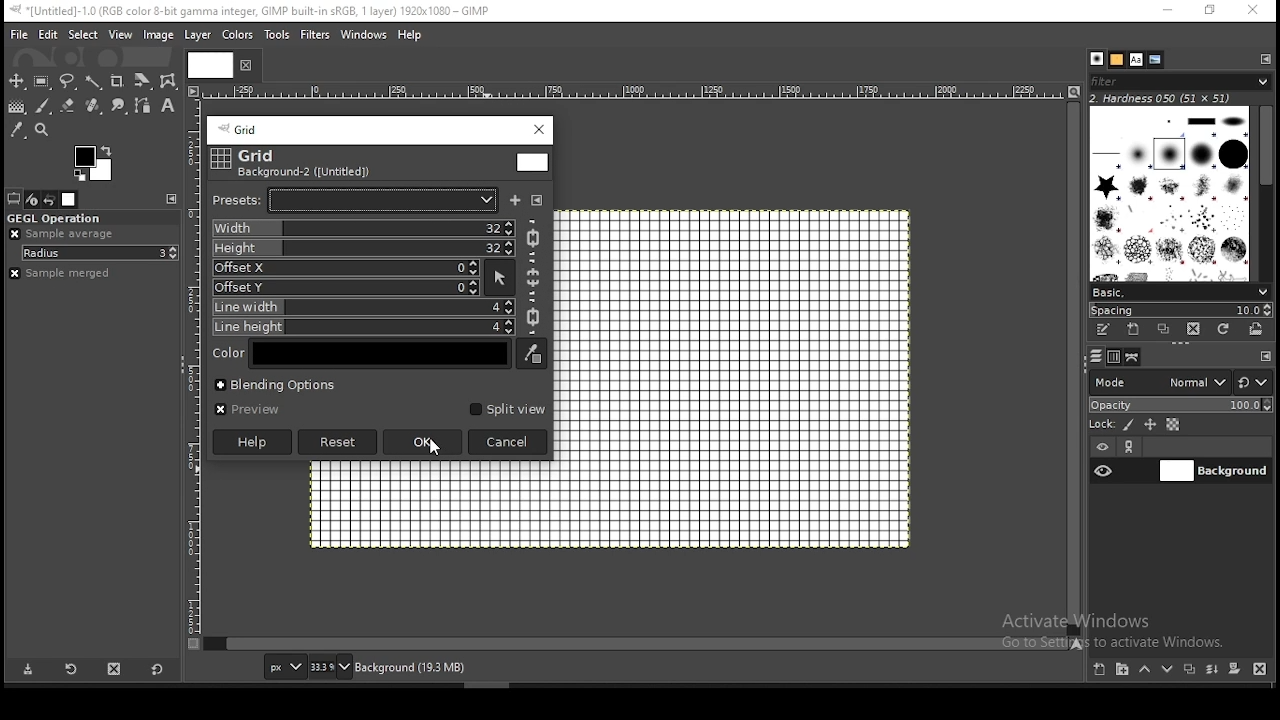 The width and height of the screenshot is (1280, 720). Describe the element at coordinates (48, 35) in the screenshot. I see `edit` at that location.